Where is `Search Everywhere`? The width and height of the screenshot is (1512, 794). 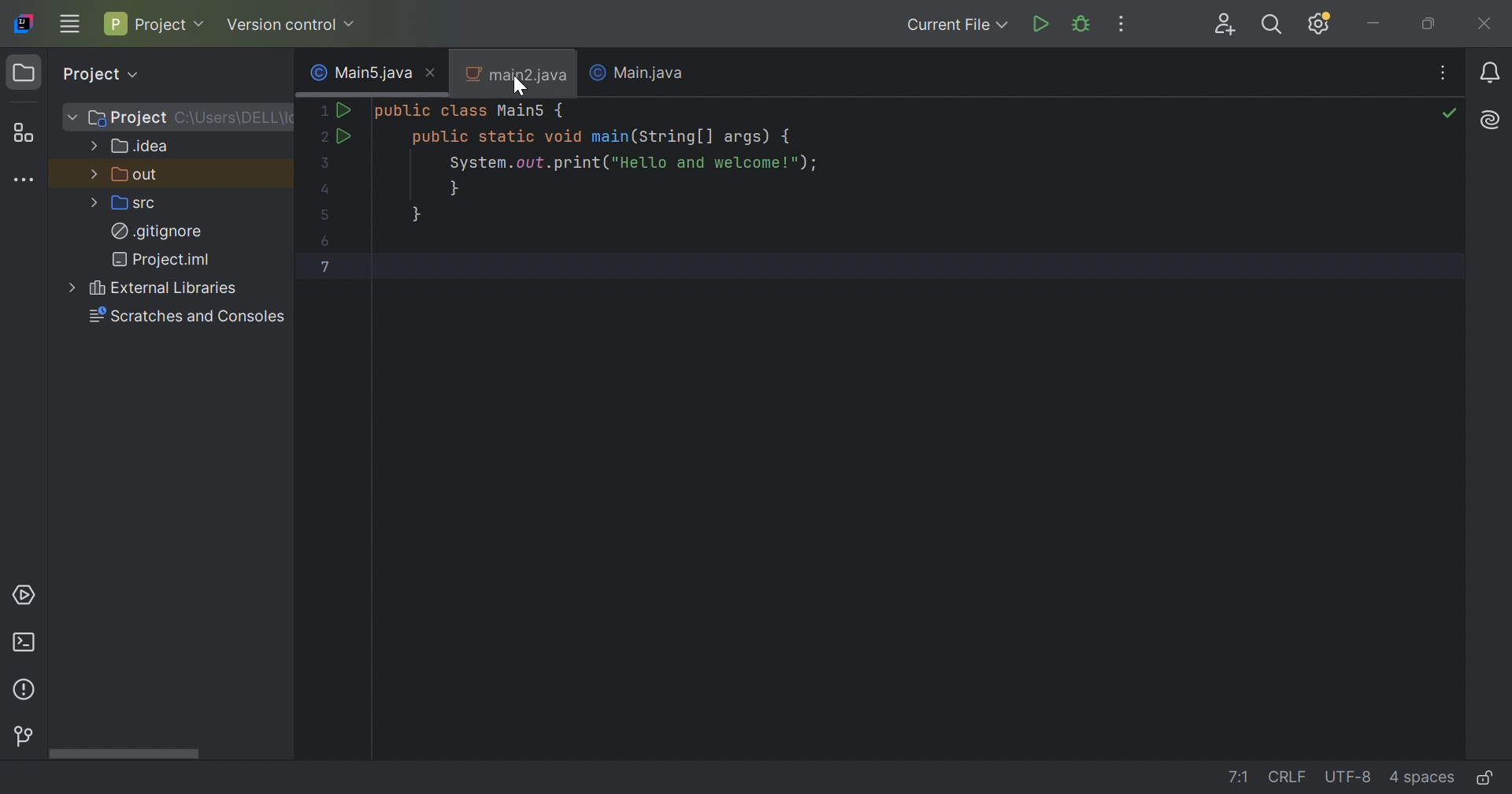 Search Everywhere is located at coordinates (1270, 25).